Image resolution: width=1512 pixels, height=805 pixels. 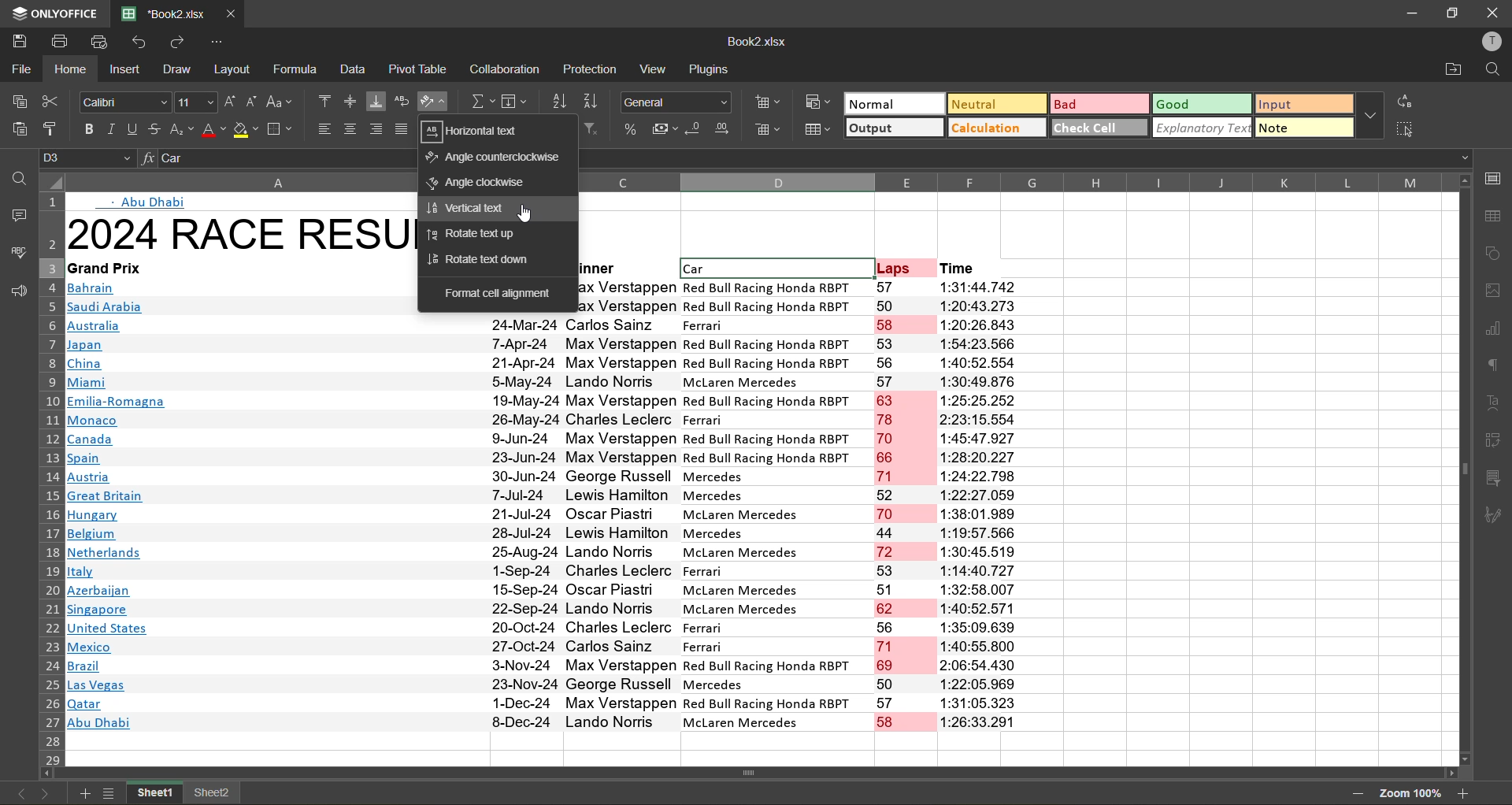 I want to click on normal, so click(x=895, y=102).